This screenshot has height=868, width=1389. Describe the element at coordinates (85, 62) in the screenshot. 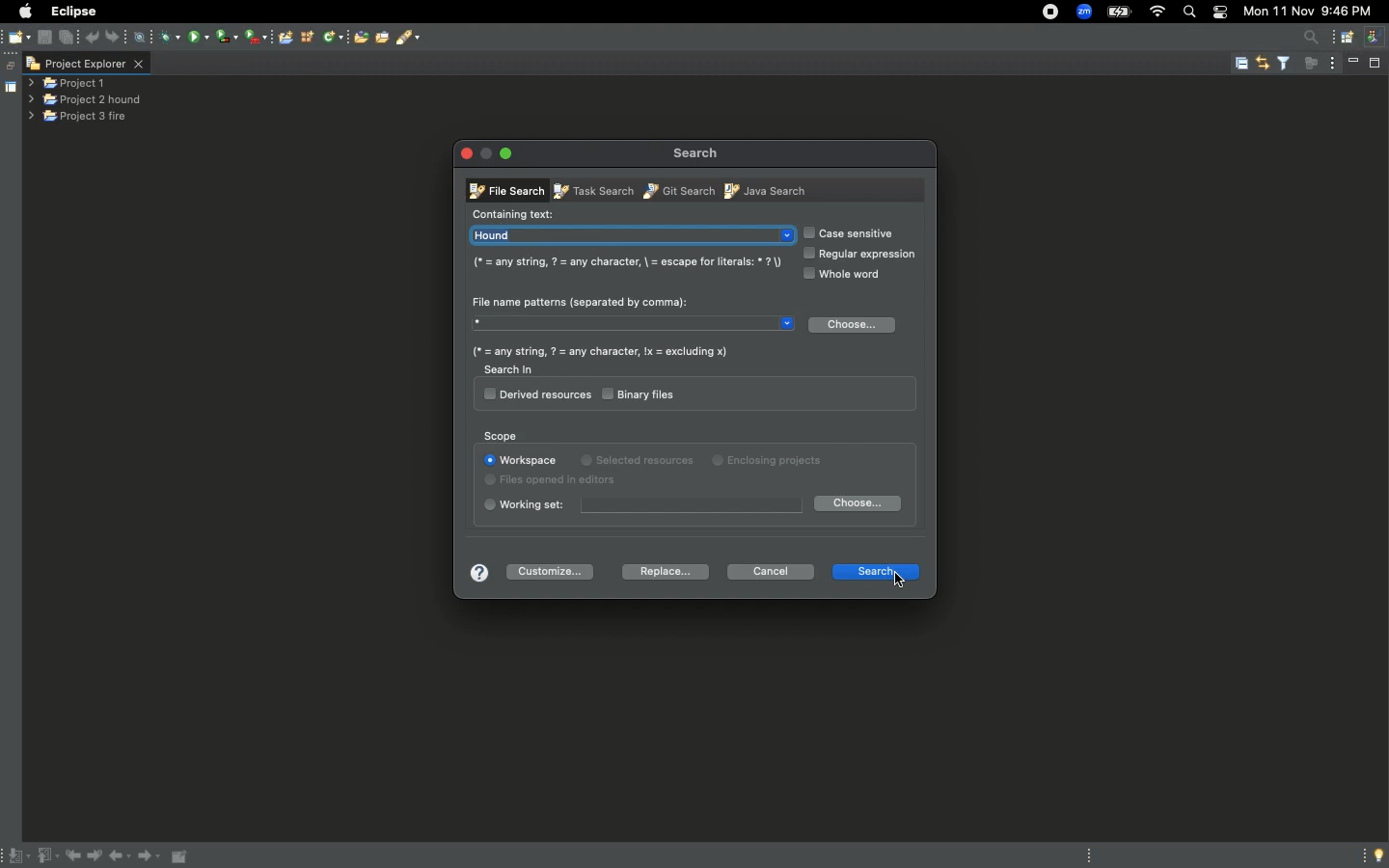

I see `project explorer` at that location.